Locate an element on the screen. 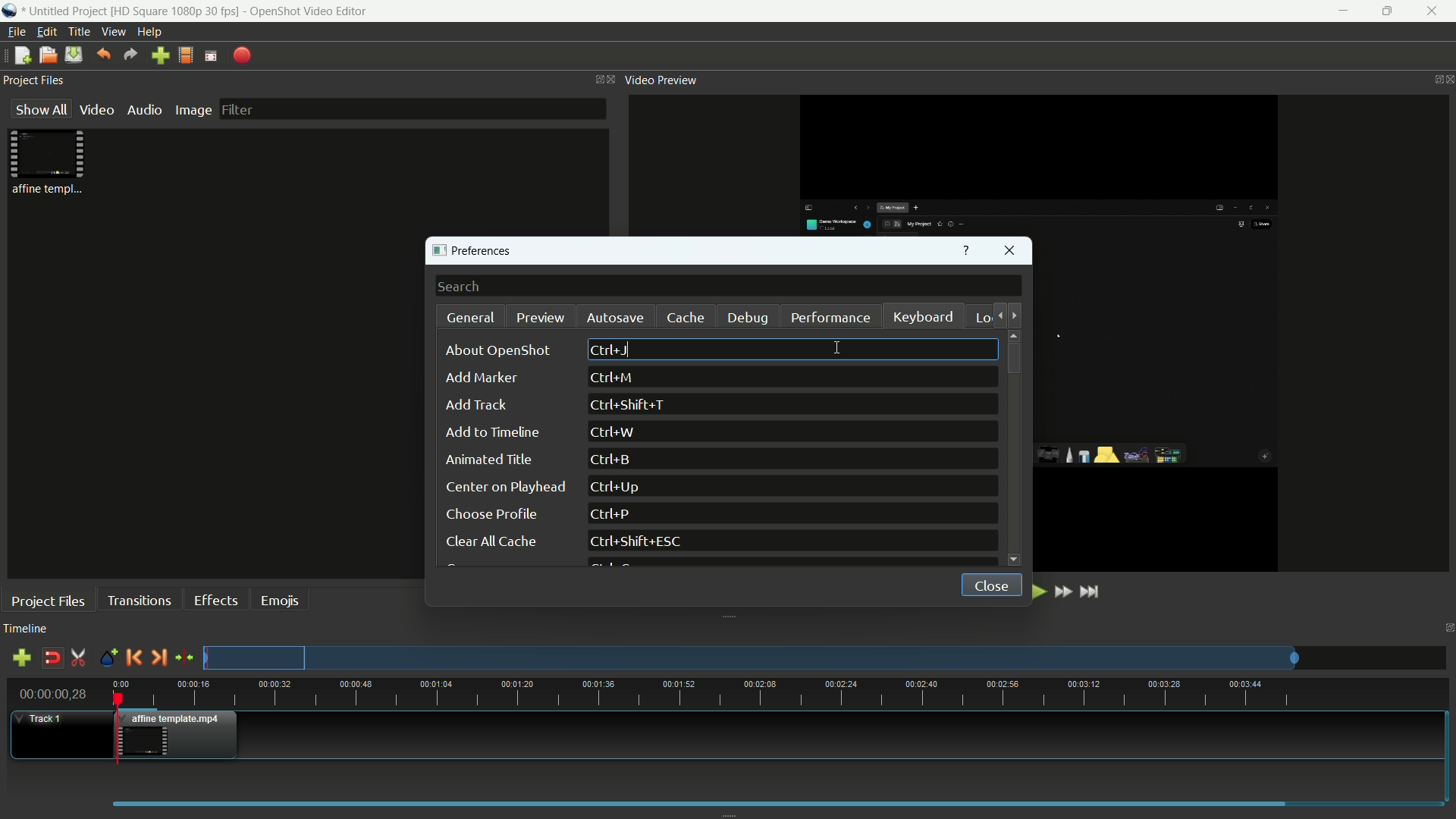 The width and height of the screenshot is (1456, 819). import file is located at coordinates (161, 56).